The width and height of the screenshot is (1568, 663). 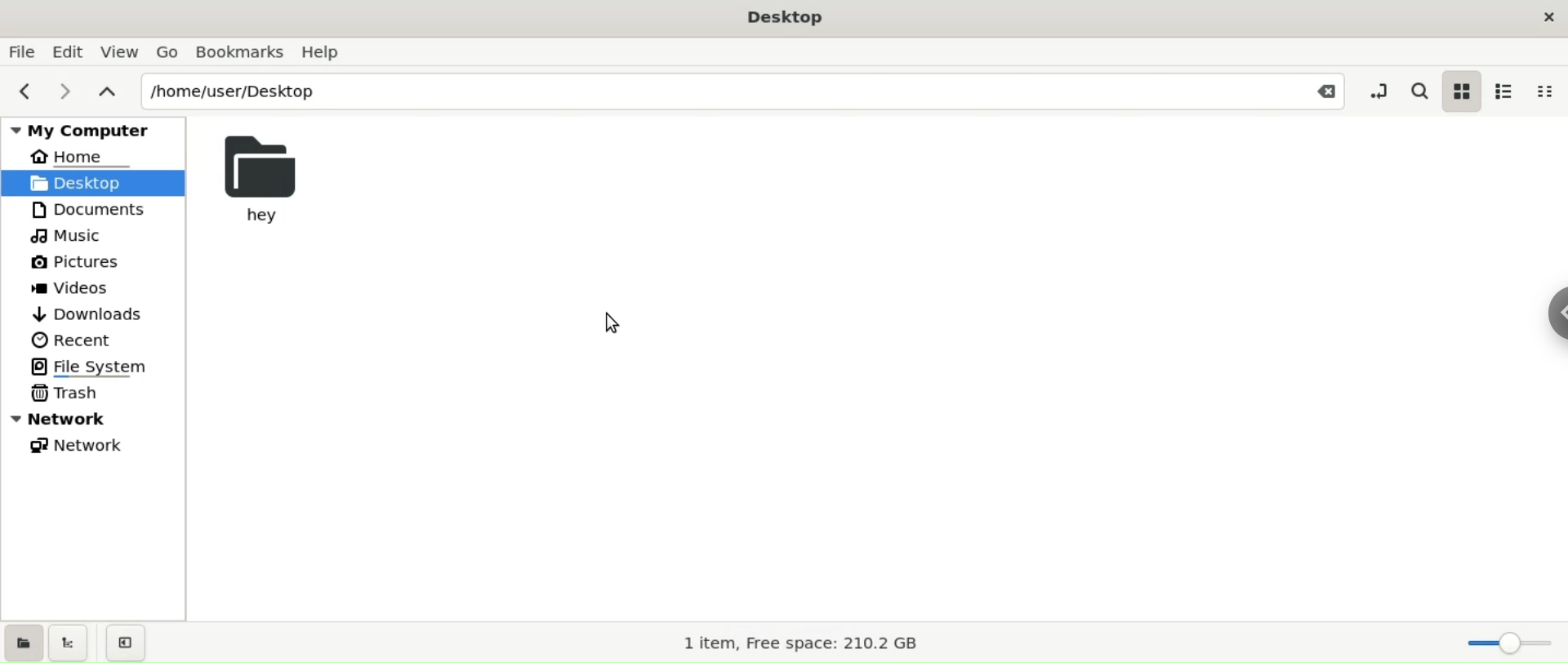 What do you see at coordinates (19, 51) in the screenshot?
I see `file` at bounding box center [19, 51].